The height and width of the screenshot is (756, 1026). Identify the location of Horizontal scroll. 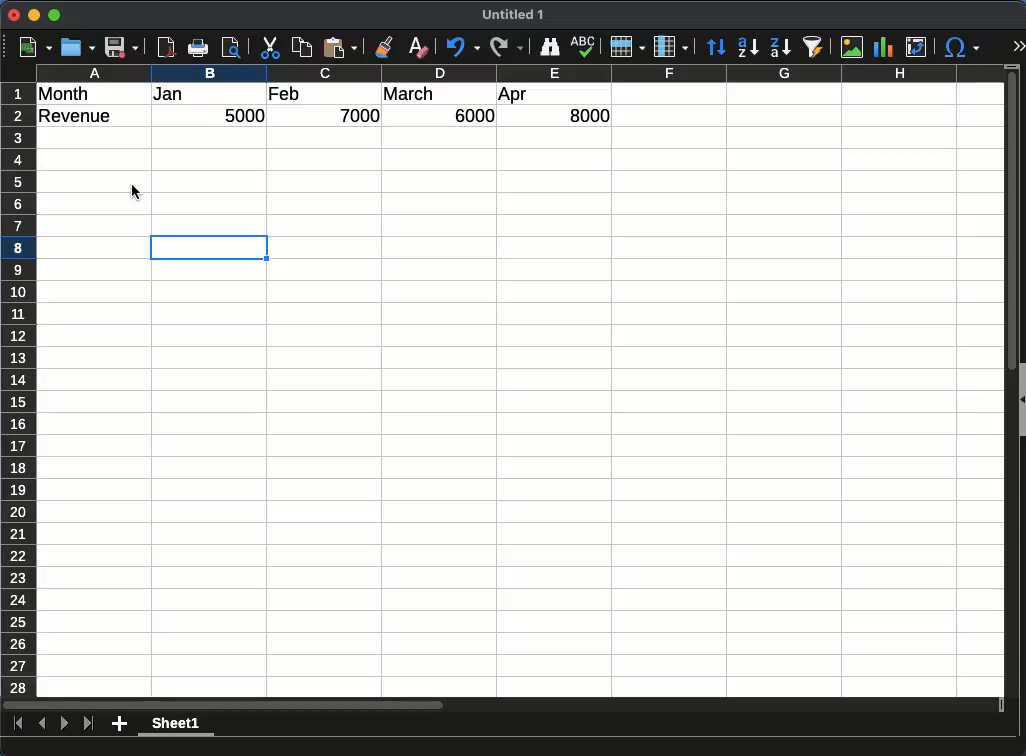
(503, 705).